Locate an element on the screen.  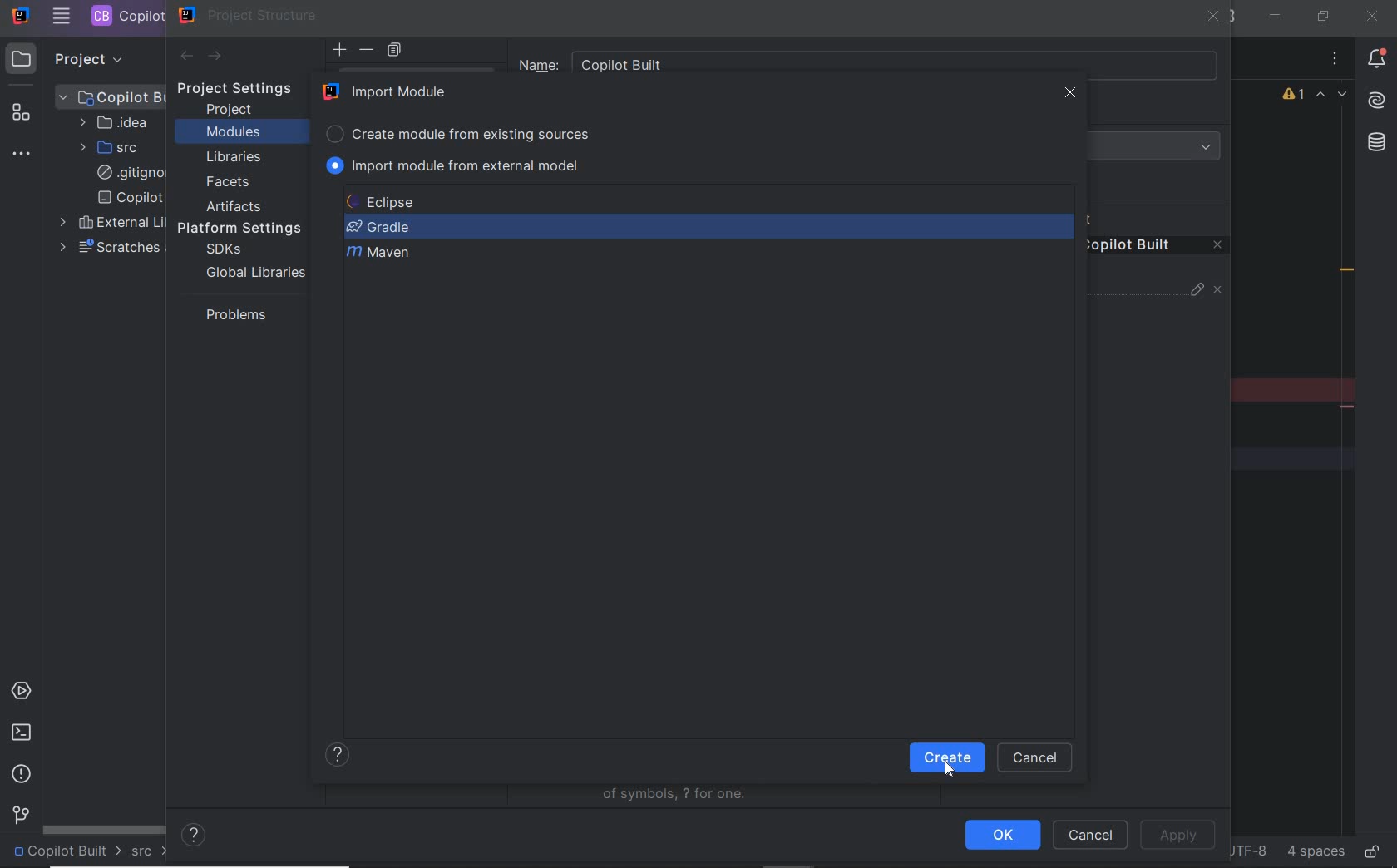
remove line is located at coordinates (1349, 407).